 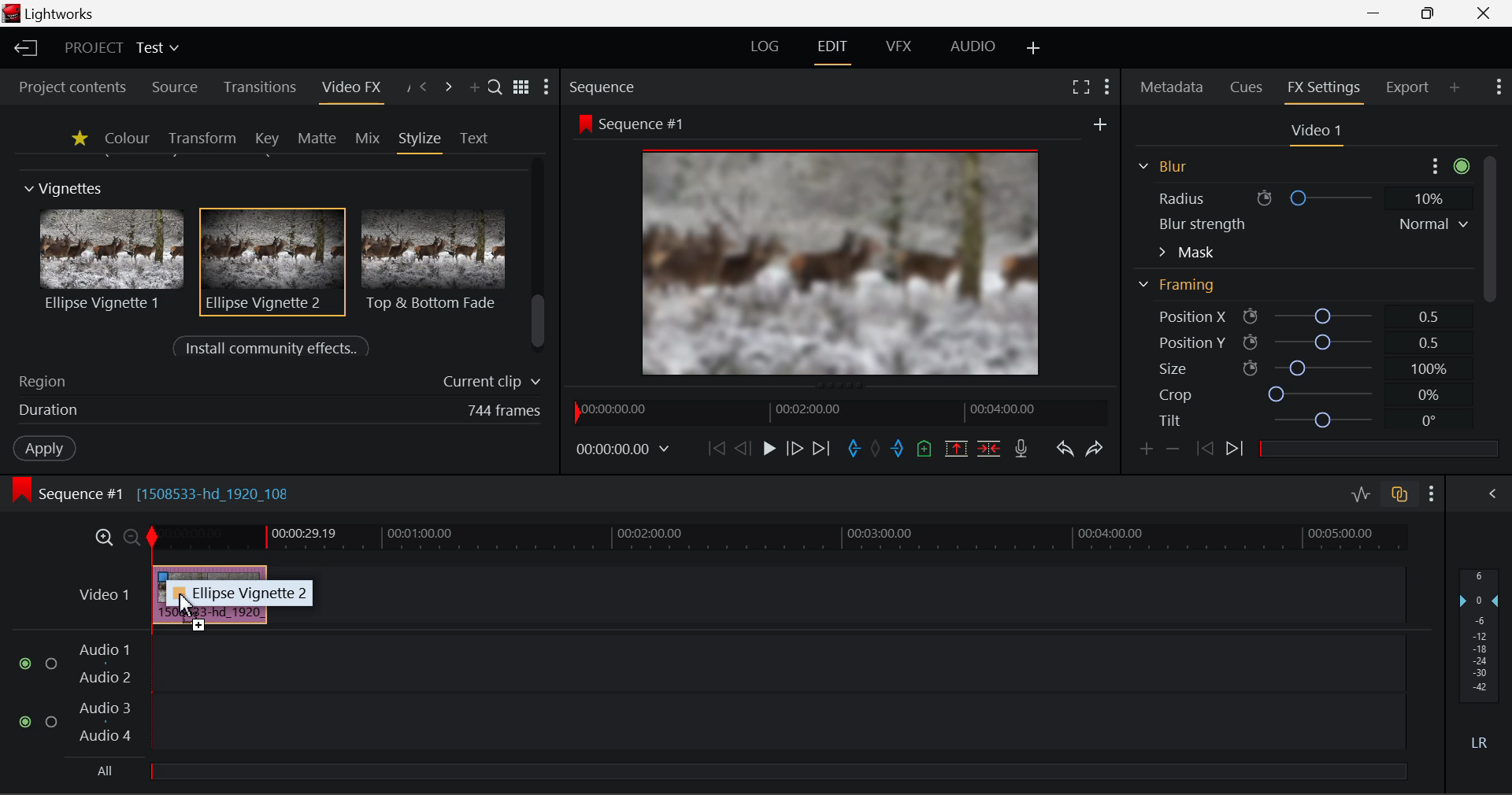 I want to click on new frame, so click(x=1102, y=124).